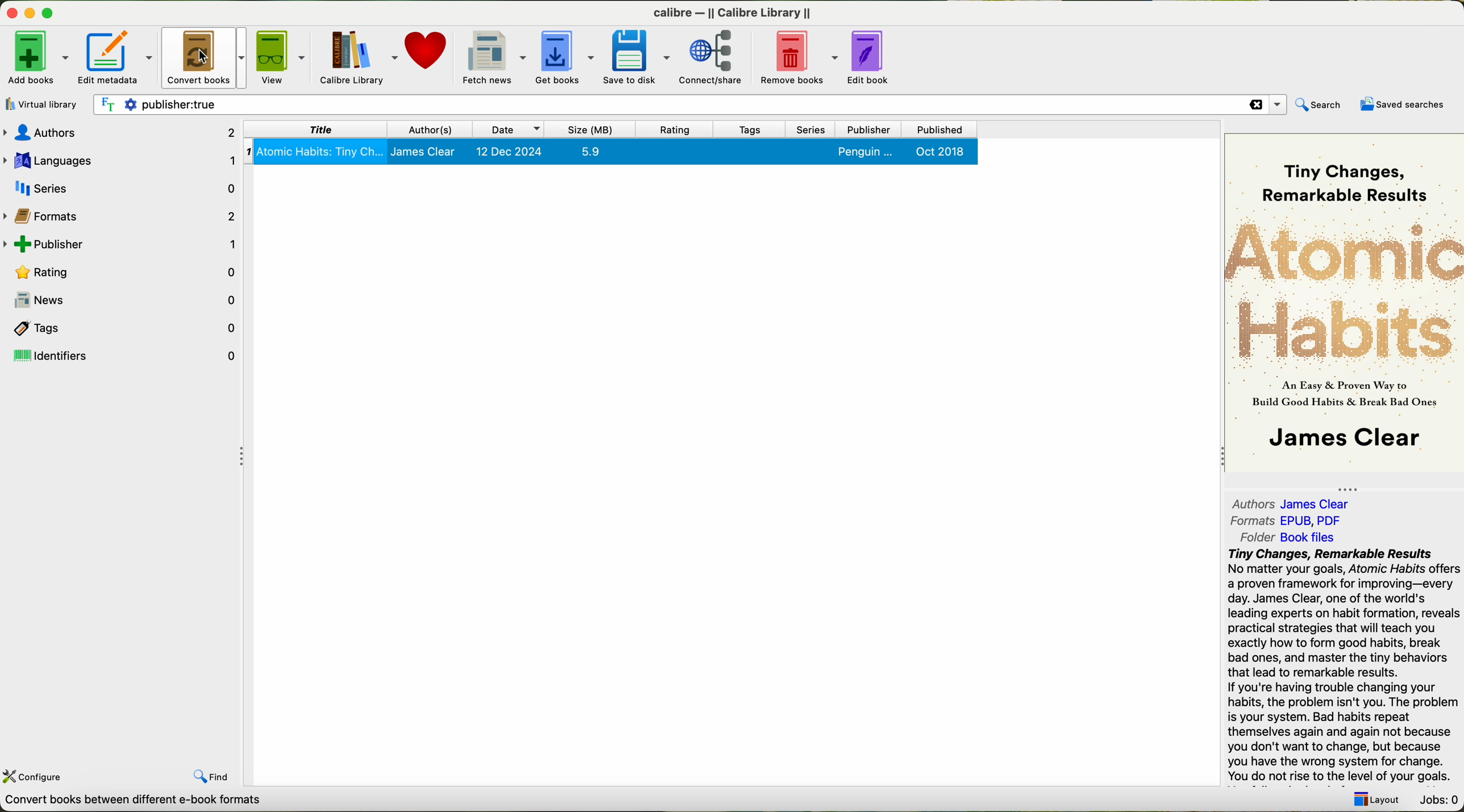 The width and height of the screenshot is (1464, 812). What do you see at coordinates (214, 777) in the screenshot?
I see `find` at bounding box center [214, 777].